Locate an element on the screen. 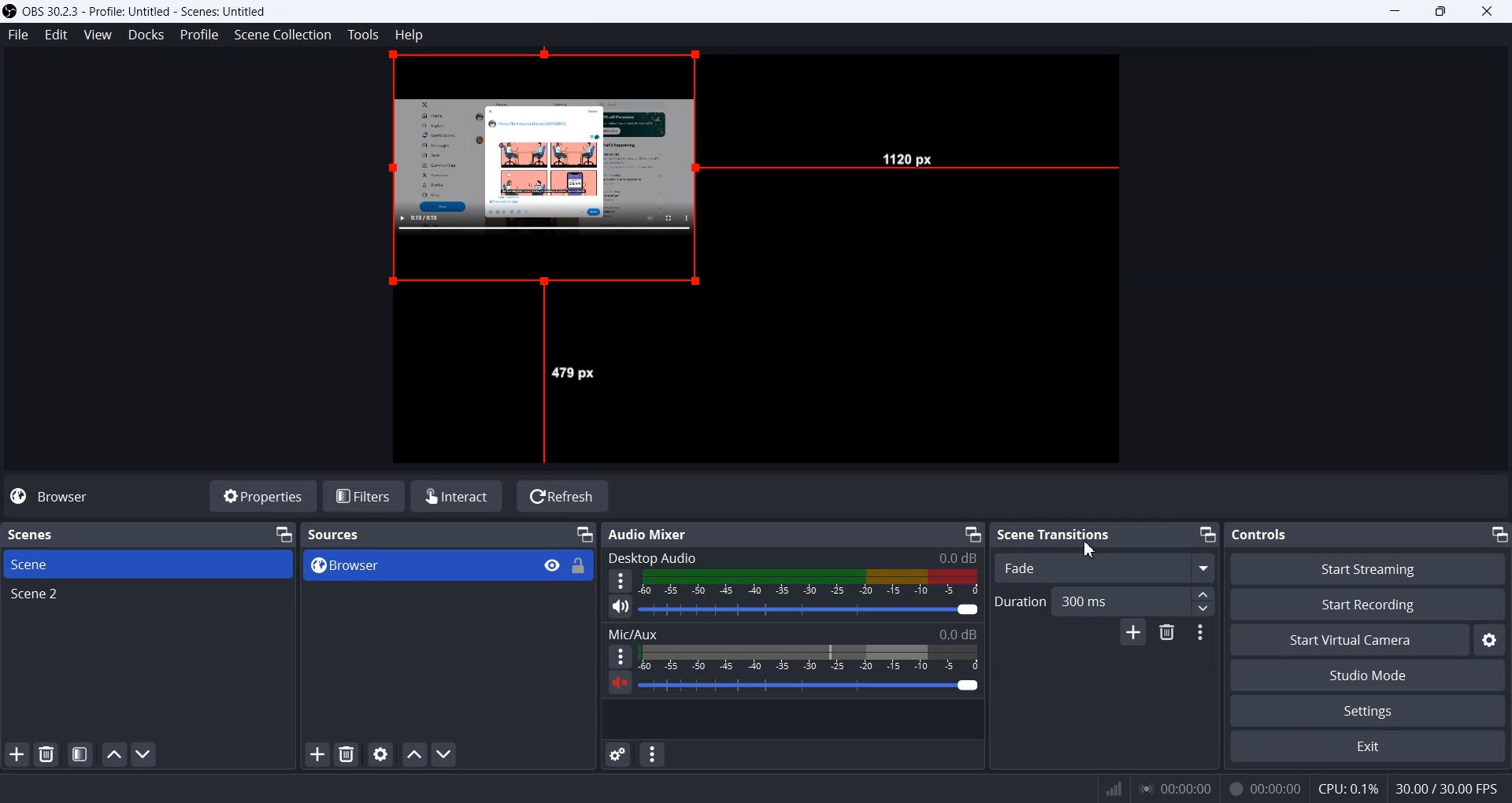 The height and width of the screenshot is (803, 1512). File is located at coordinates (18, 35).